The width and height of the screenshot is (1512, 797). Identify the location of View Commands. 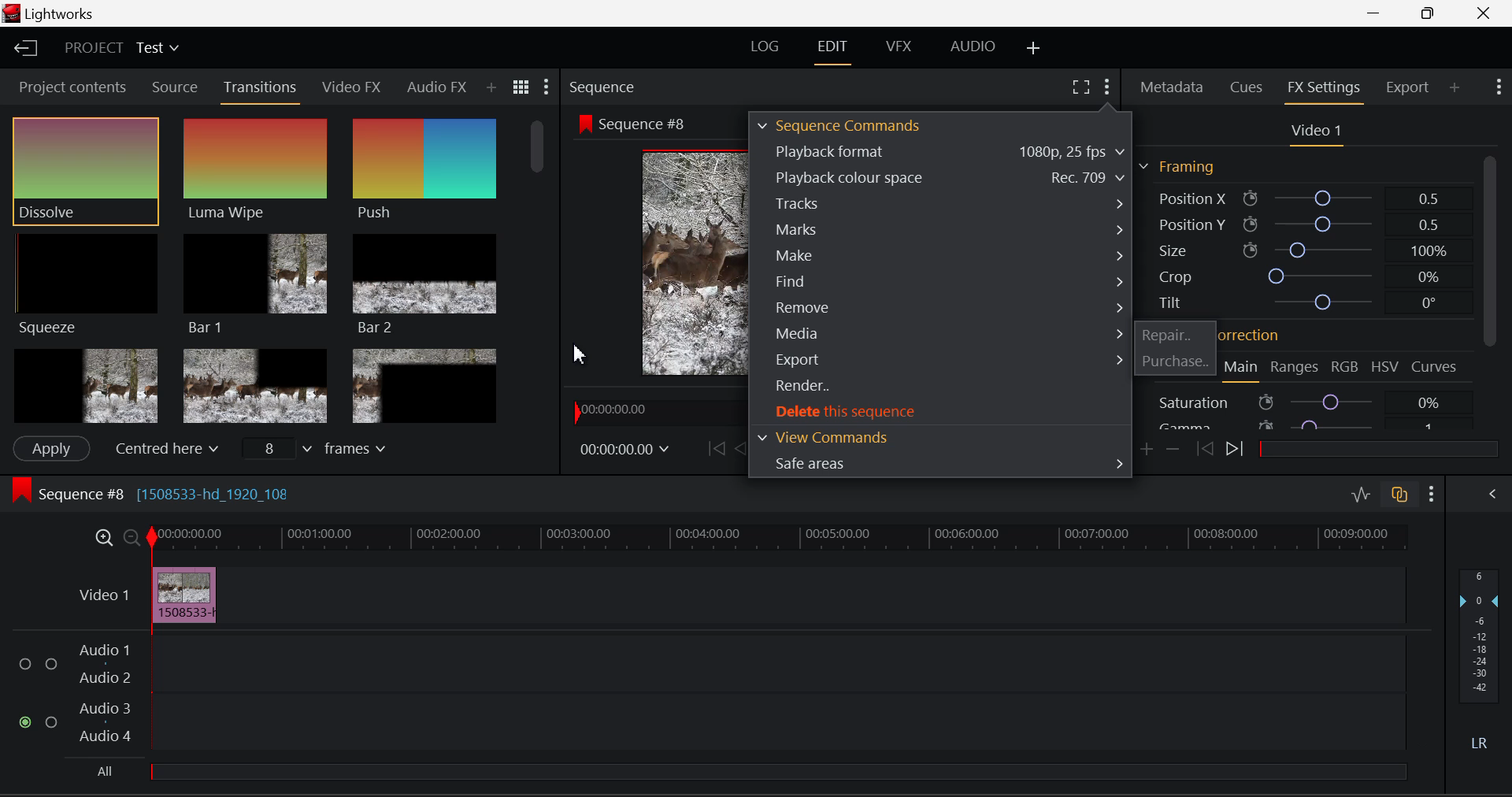
(939, 436).